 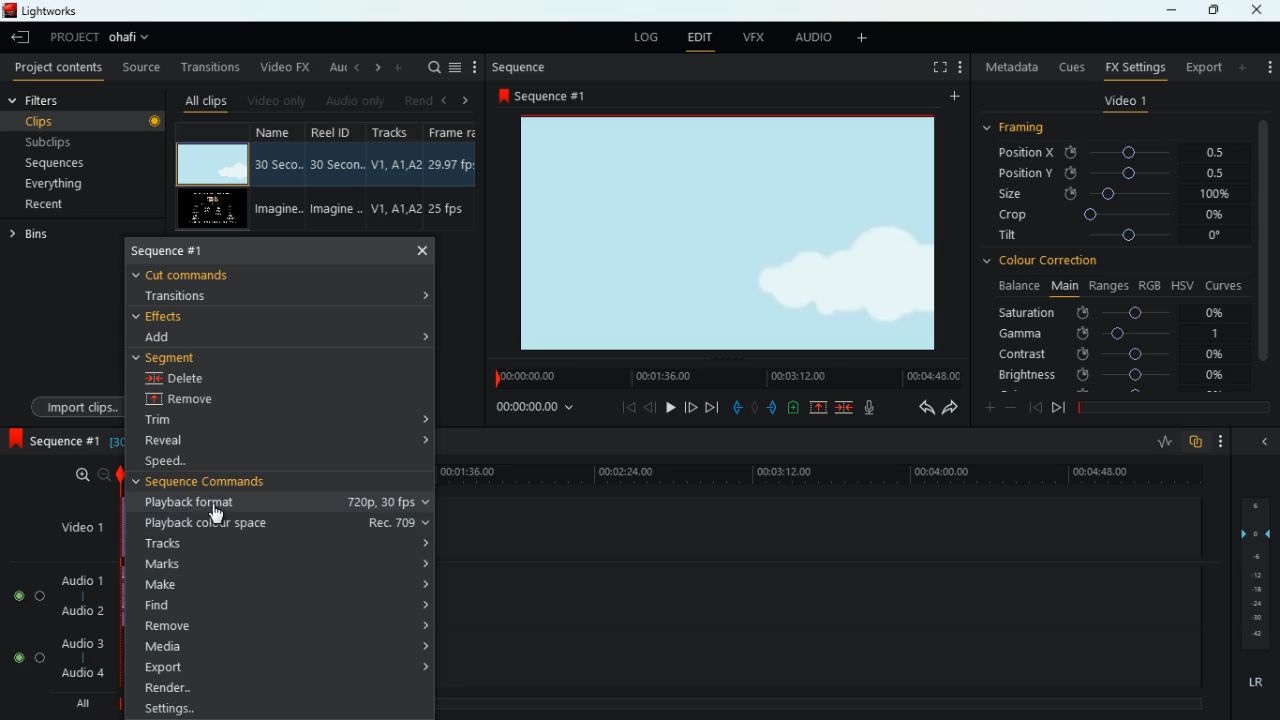 I want to click on leave, so click(x=21, y=37).